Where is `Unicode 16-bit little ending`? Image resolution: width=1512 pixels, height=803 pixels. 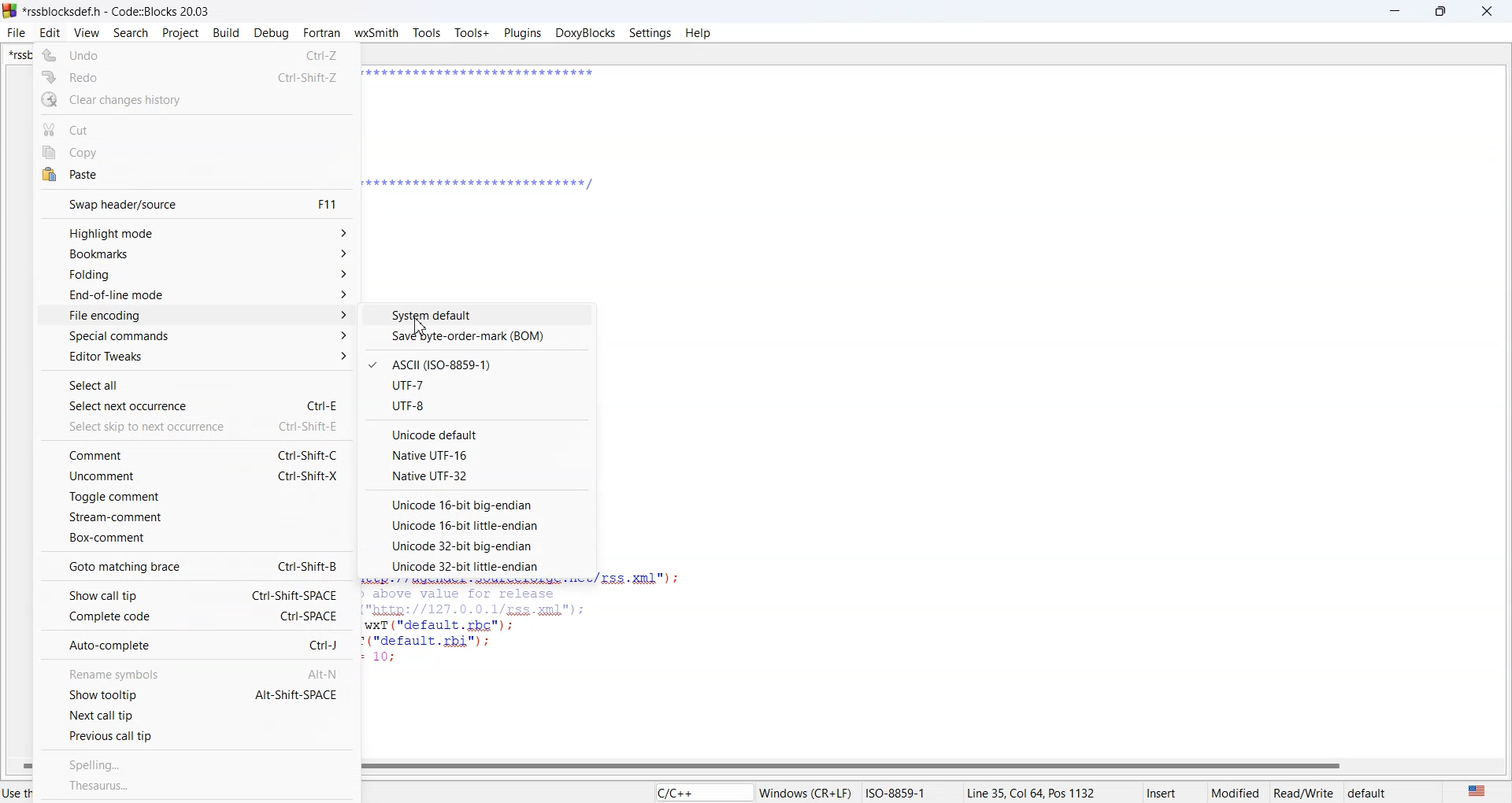
Unicode 16-bit little ending is located at coordinates (476, 526).